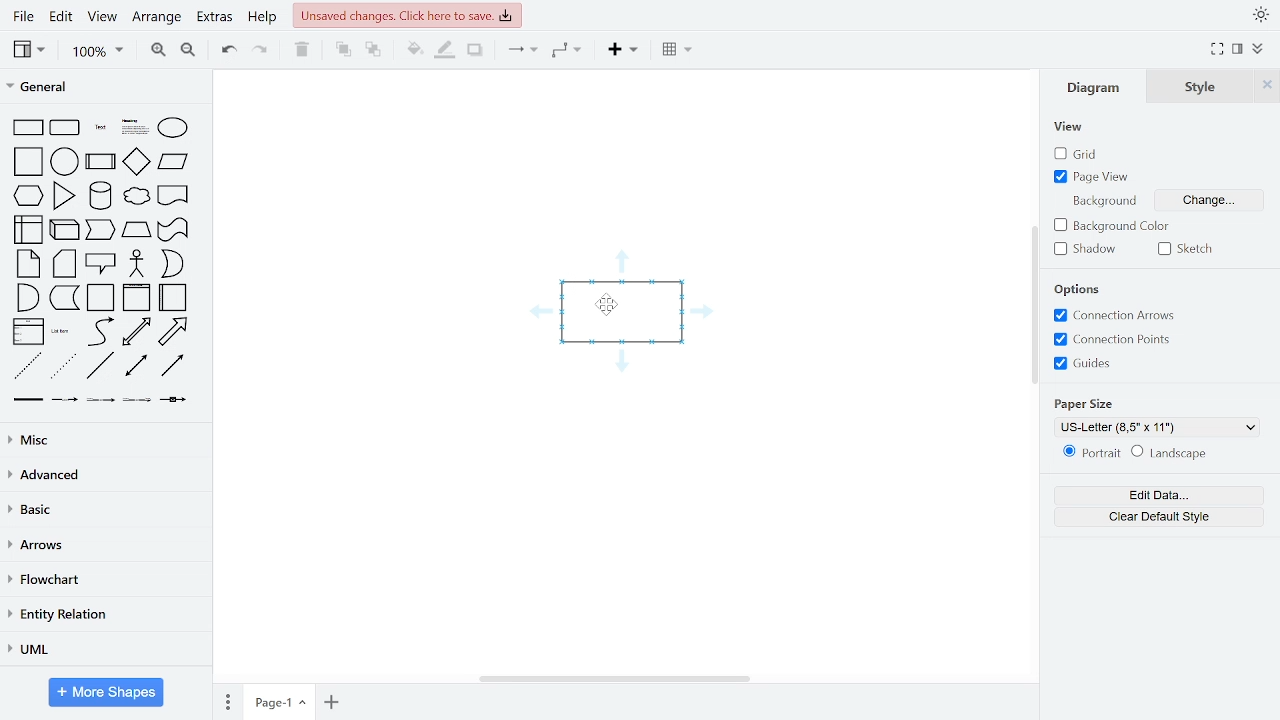 The image size is (1280, 720). Describe the element at coordinates (65, 128) in the screenshot. I see `rounded rectangle` at that location.